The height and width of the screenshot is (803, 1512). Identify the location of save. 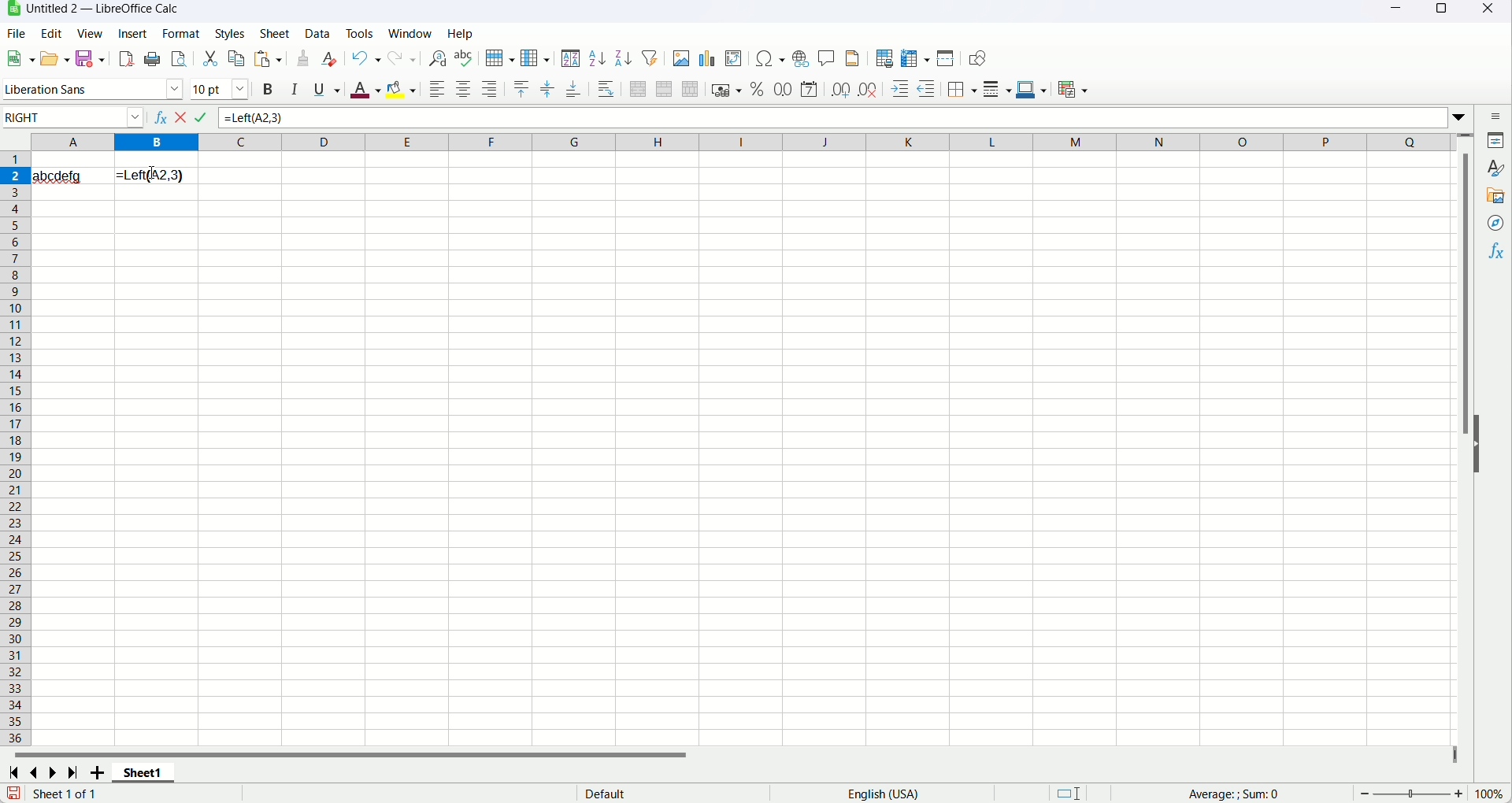
(13, 793).